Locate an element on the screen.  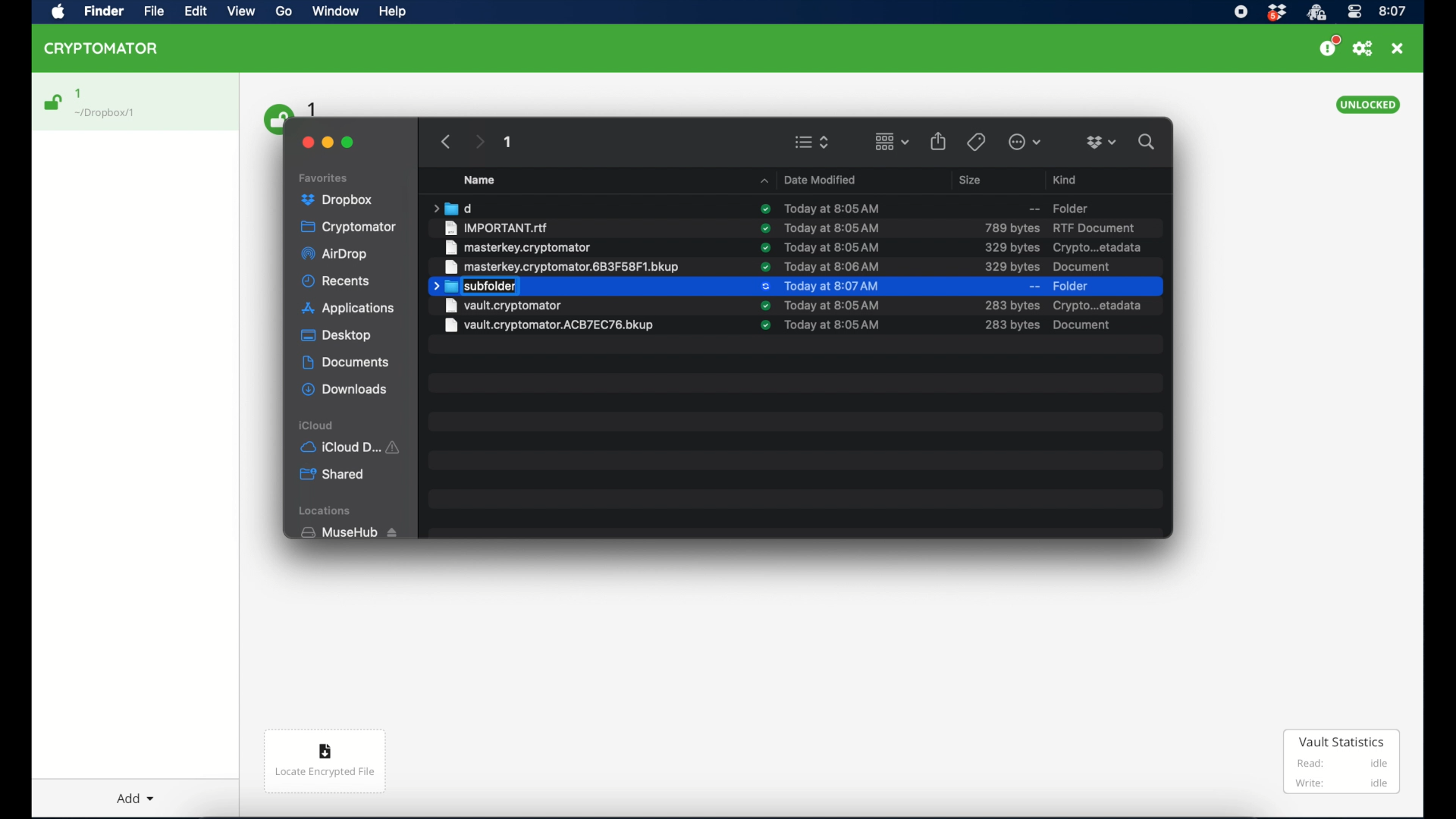
synced is located at coordinates (764, 306).